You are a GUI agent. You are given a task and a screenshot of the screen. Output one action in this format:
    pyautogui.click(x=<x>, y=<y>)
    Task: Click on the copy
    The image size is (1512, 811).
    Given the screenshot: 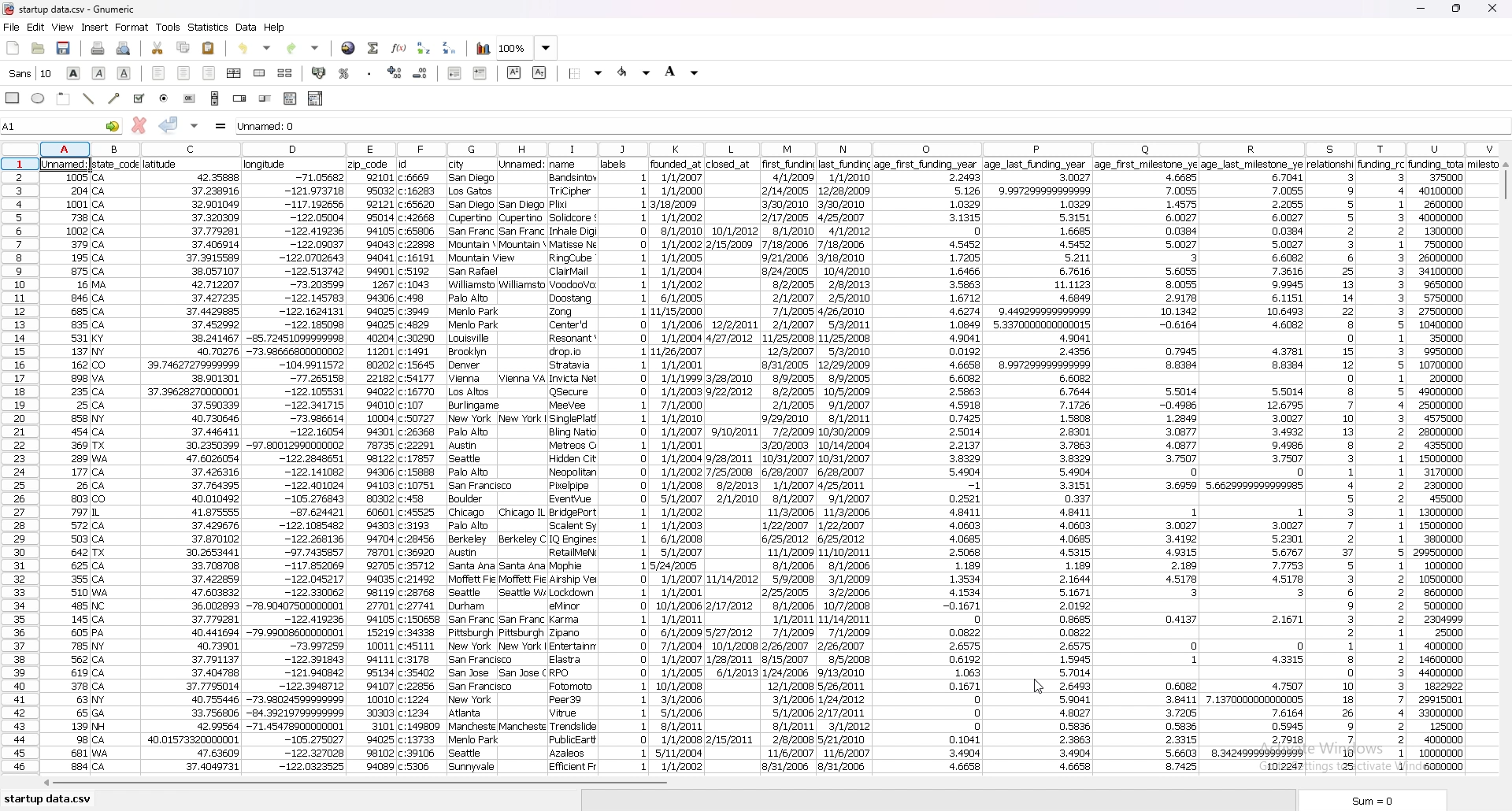 What is the action you would take?
    pyautogui.click(x=183, y=48)
    